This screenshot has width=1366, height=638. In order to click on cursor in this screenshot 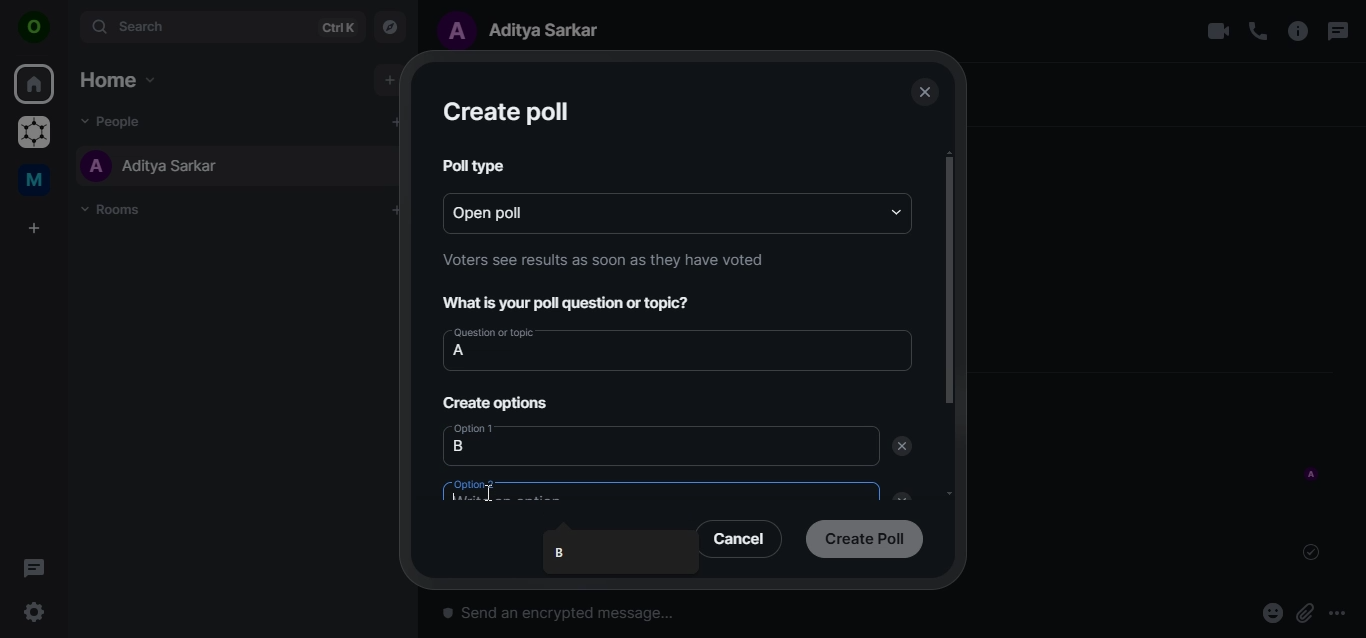, I will do `click(489, 491)`.